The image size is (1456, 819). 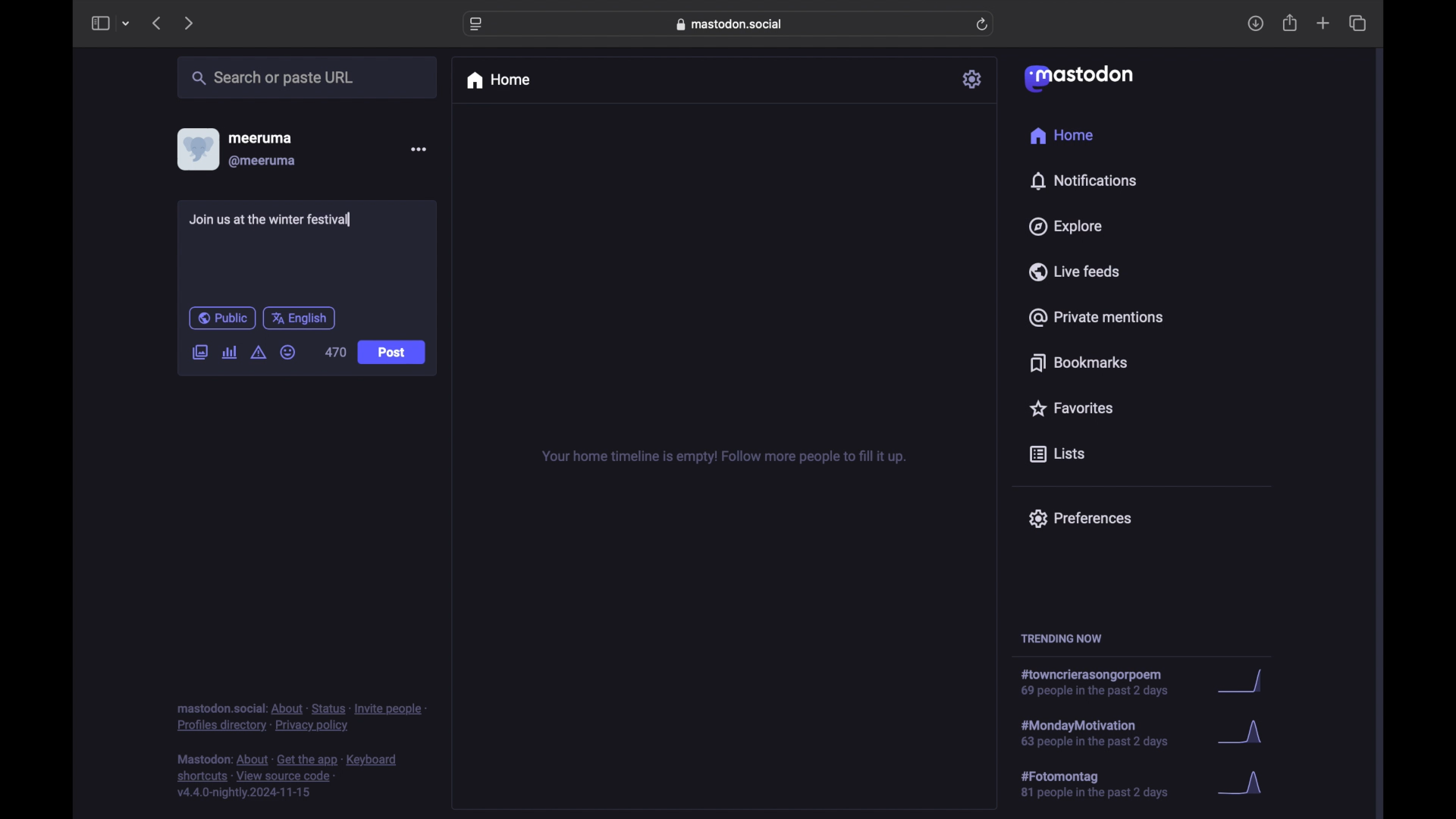 I want to click on footnote, so click(x=290, y=777).